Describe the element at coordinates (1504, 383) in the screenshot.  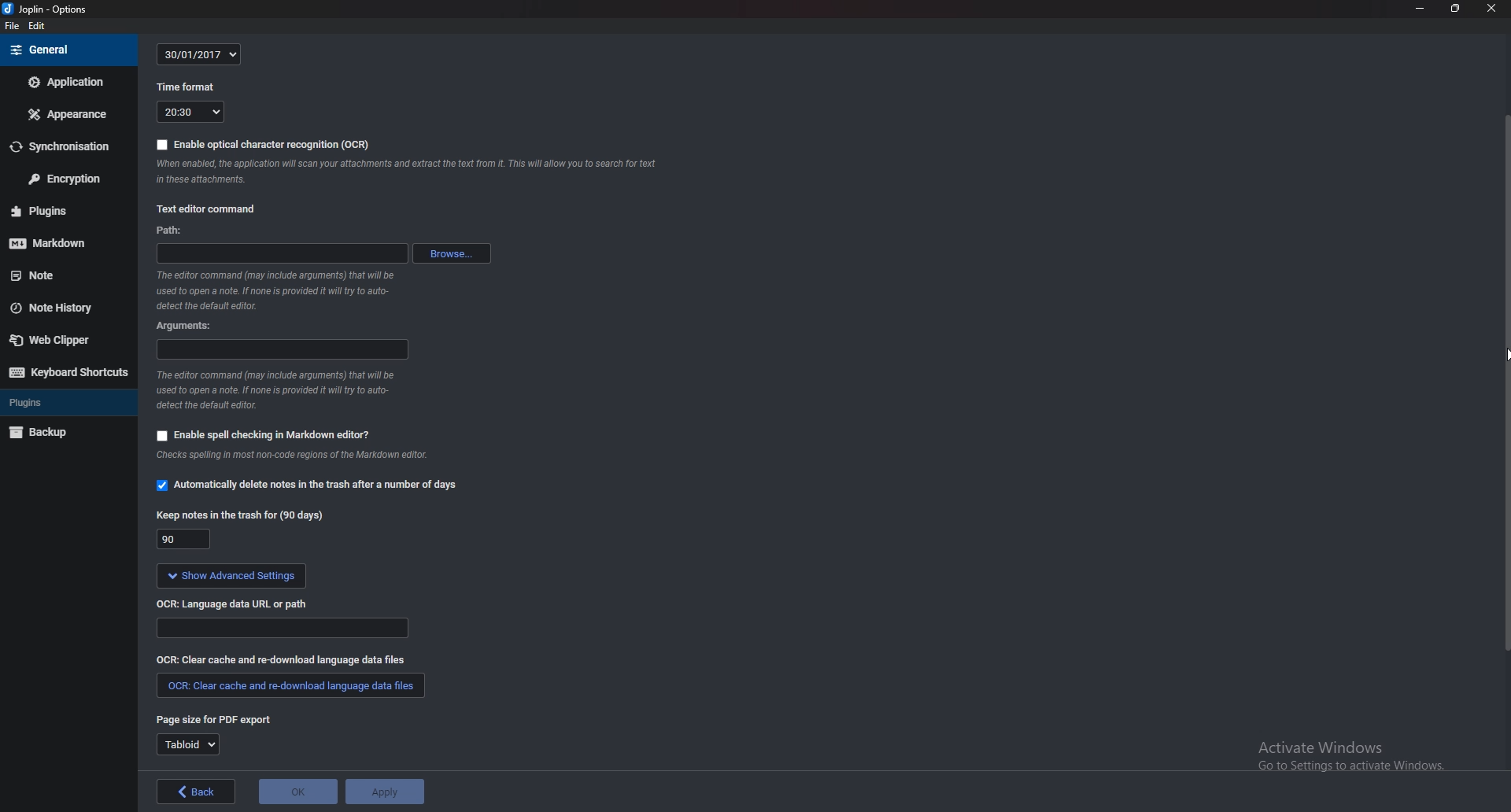
I see `Scroll bar` at that location.